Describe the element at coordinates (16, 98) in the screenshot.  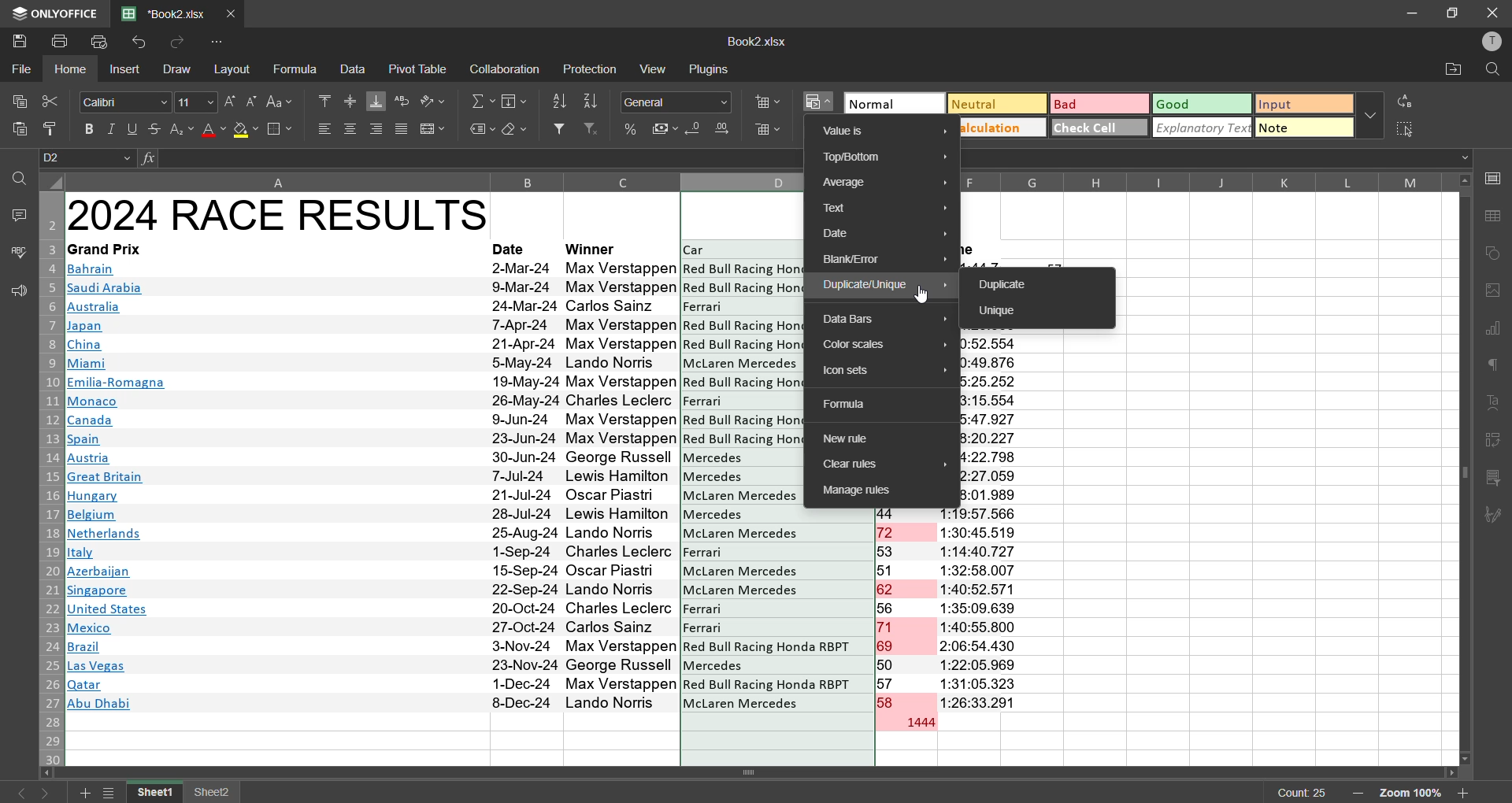
I see `copy` at that location.